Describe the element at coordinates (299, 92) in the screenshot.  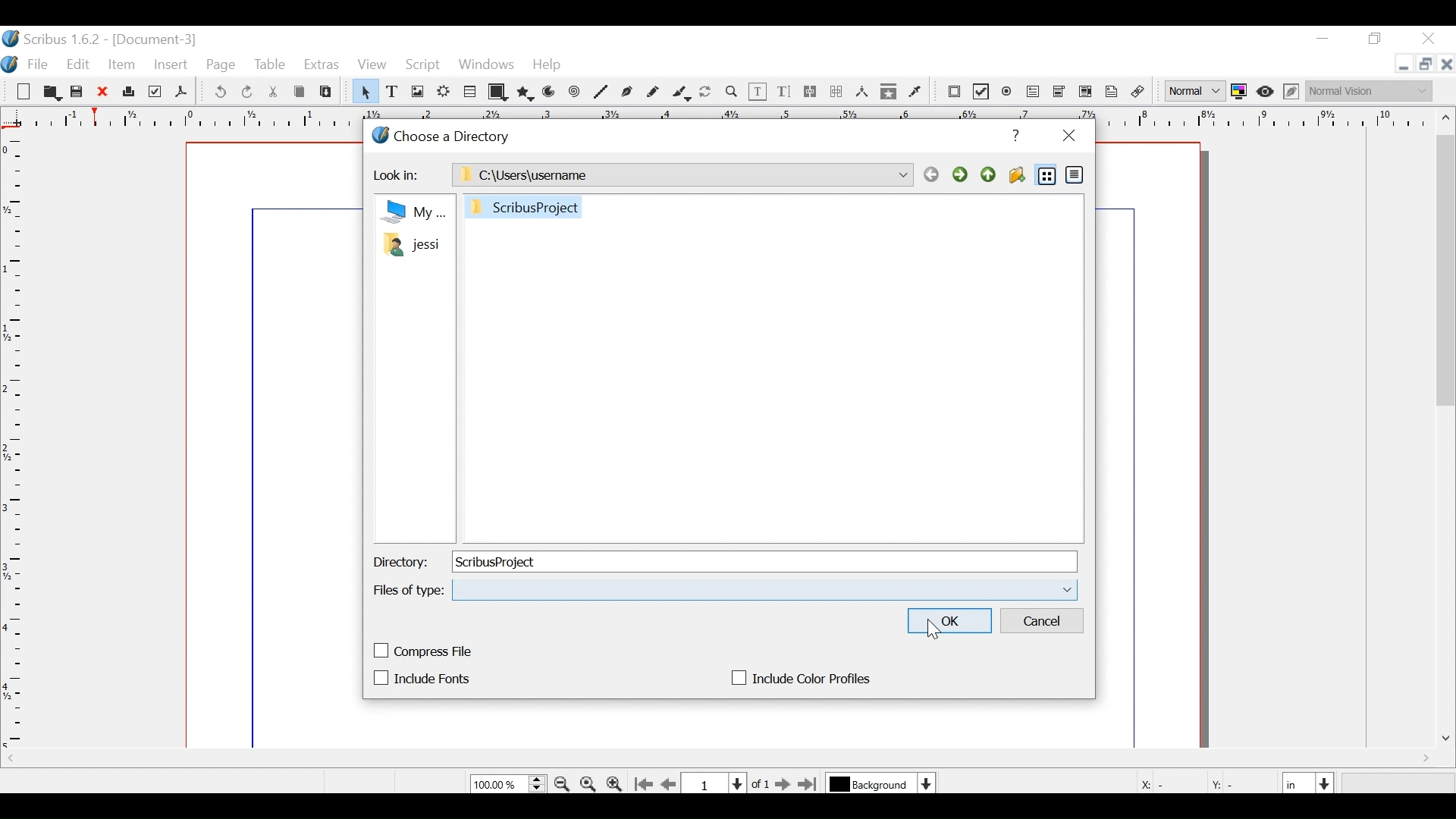
I see `Copy` at that location.